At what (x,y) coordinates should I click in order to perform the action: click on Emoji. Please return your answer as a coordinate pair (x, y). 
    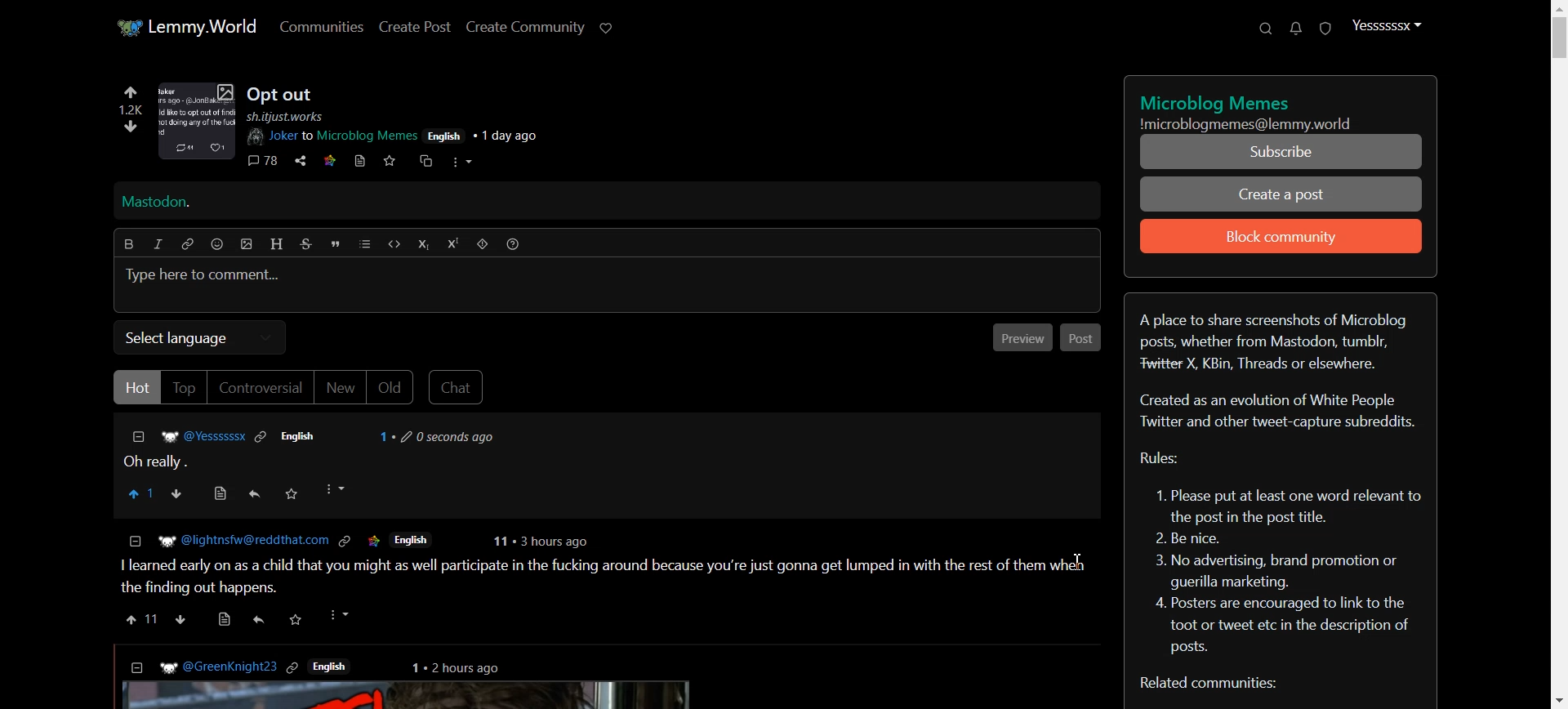
    Looking at the image, I should click on (219, 243).